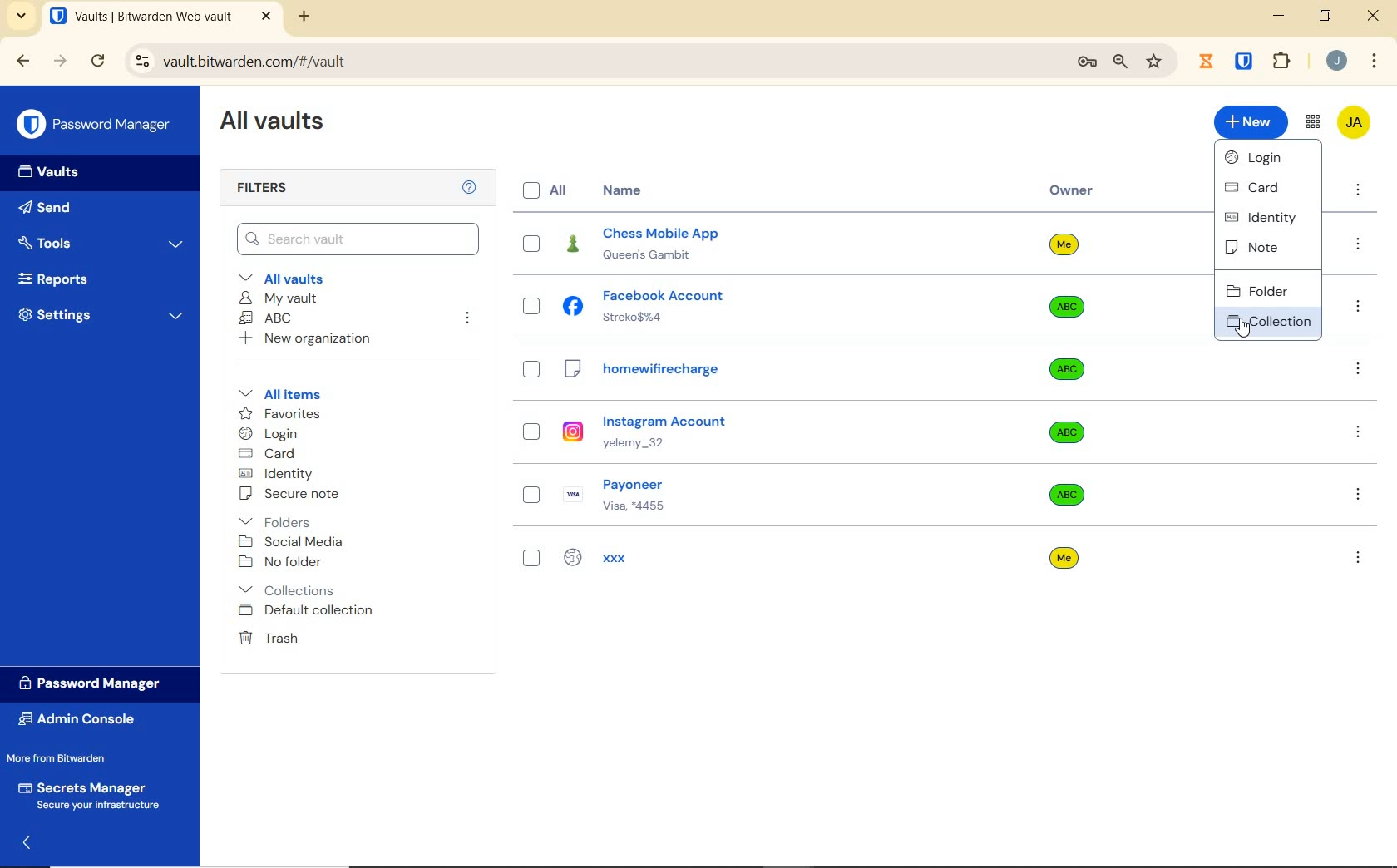 This screenshot has width=1397, height=868. I want to click on Send, so click(48, 206).